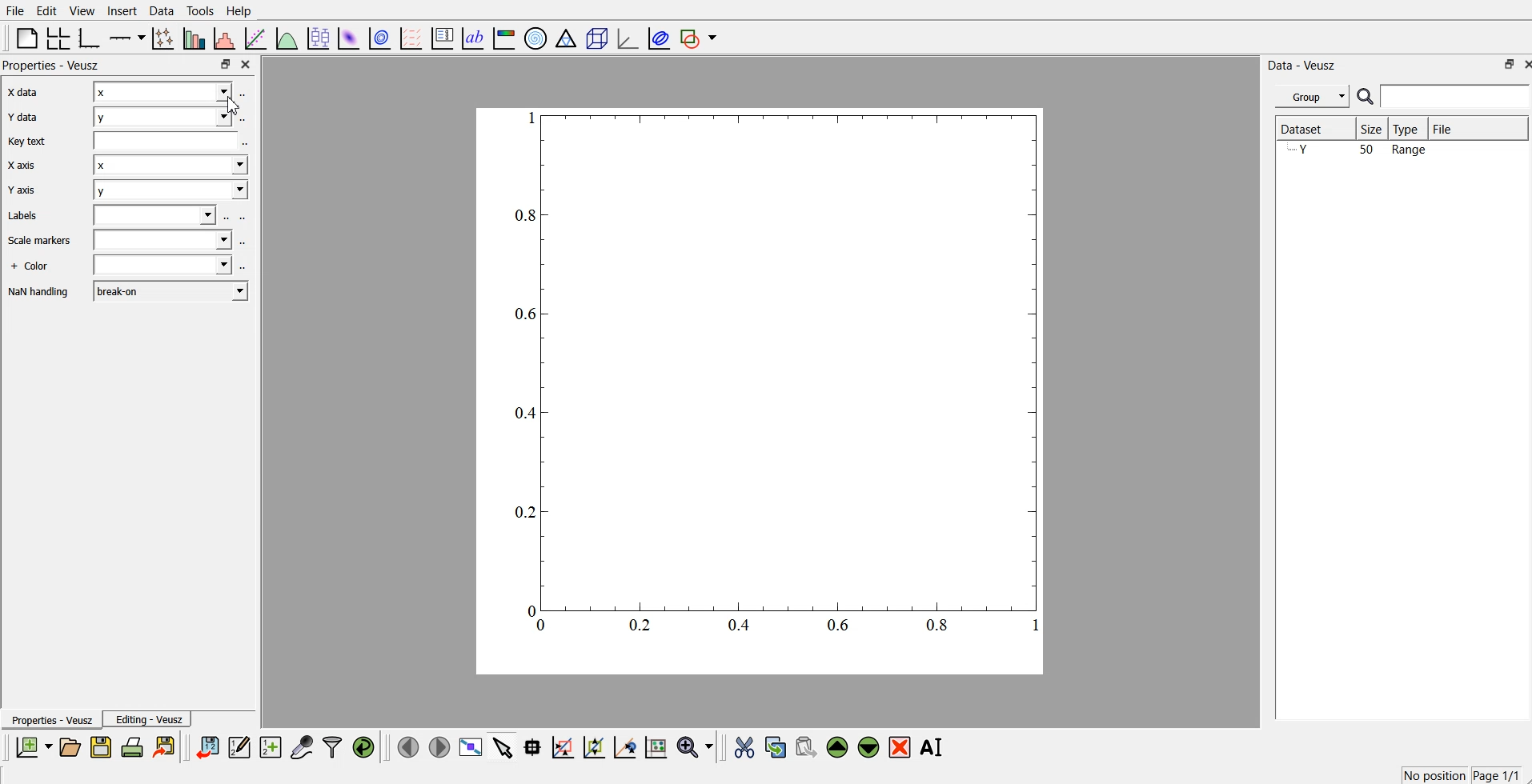  I want to click on Properties - Veusz, so click(53, 720).